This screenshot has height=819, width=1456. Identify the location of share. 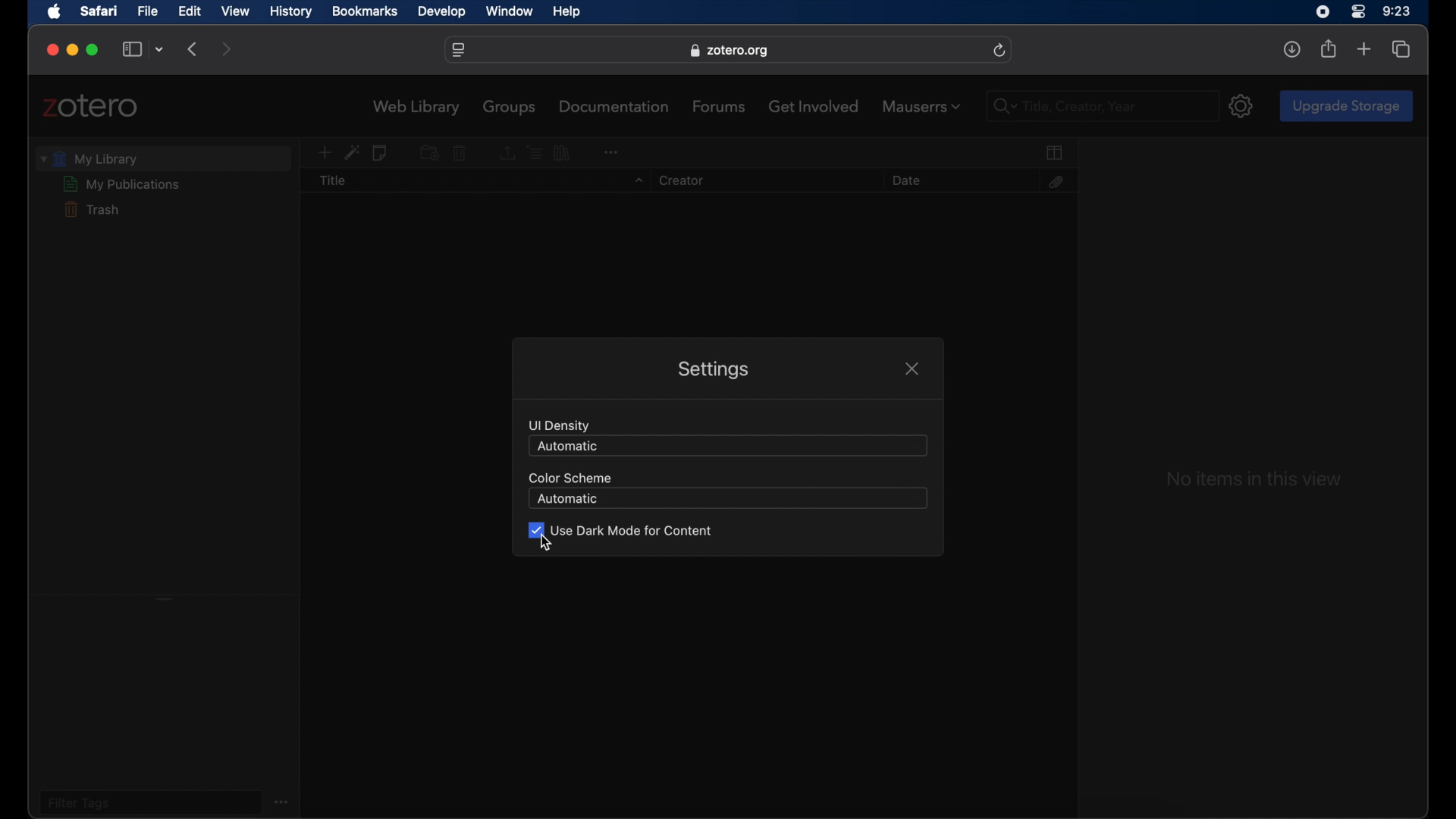
(1329, 49).